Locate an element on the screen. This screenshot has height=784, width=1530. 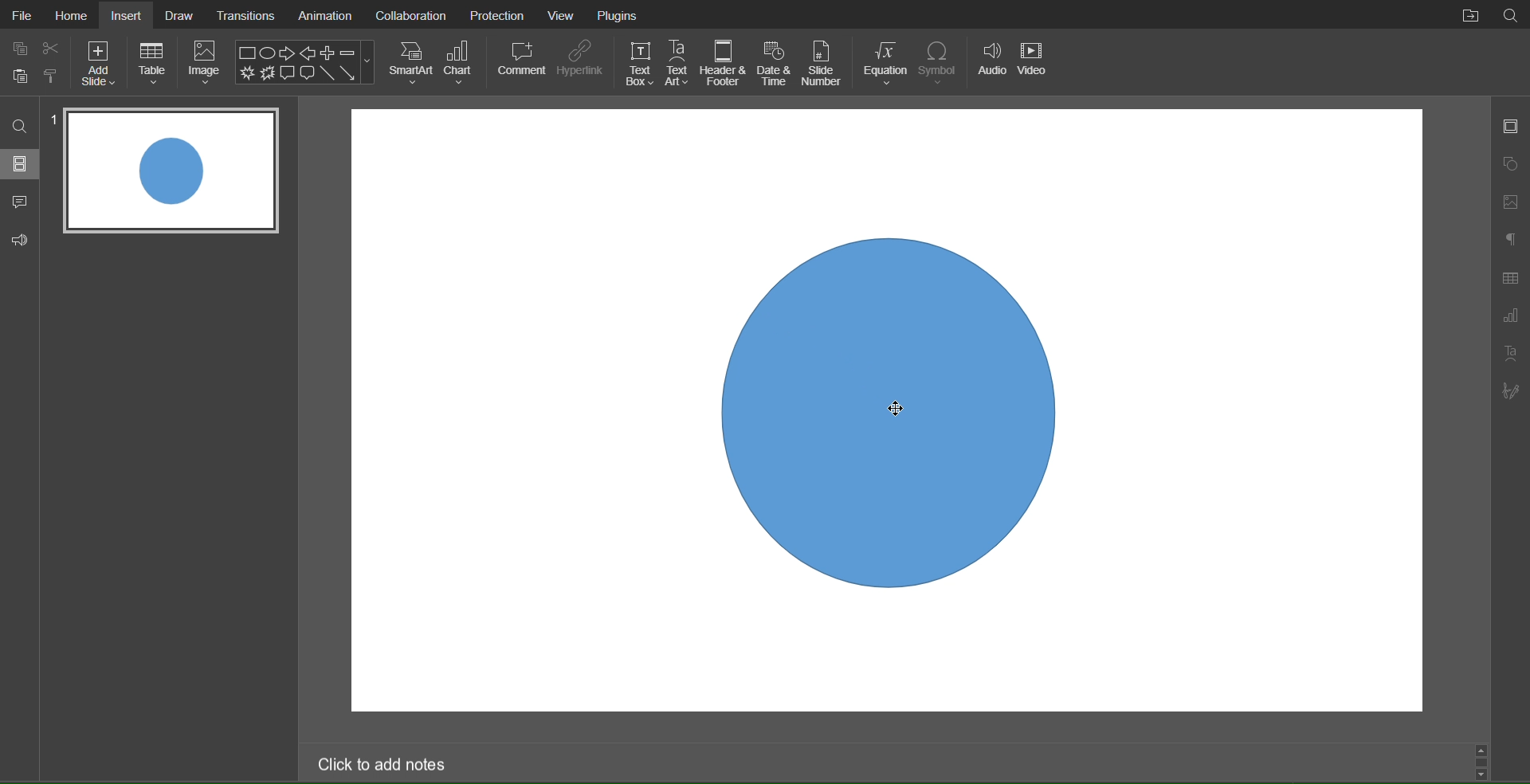
SmartArt is located at coordinates (408, 63).